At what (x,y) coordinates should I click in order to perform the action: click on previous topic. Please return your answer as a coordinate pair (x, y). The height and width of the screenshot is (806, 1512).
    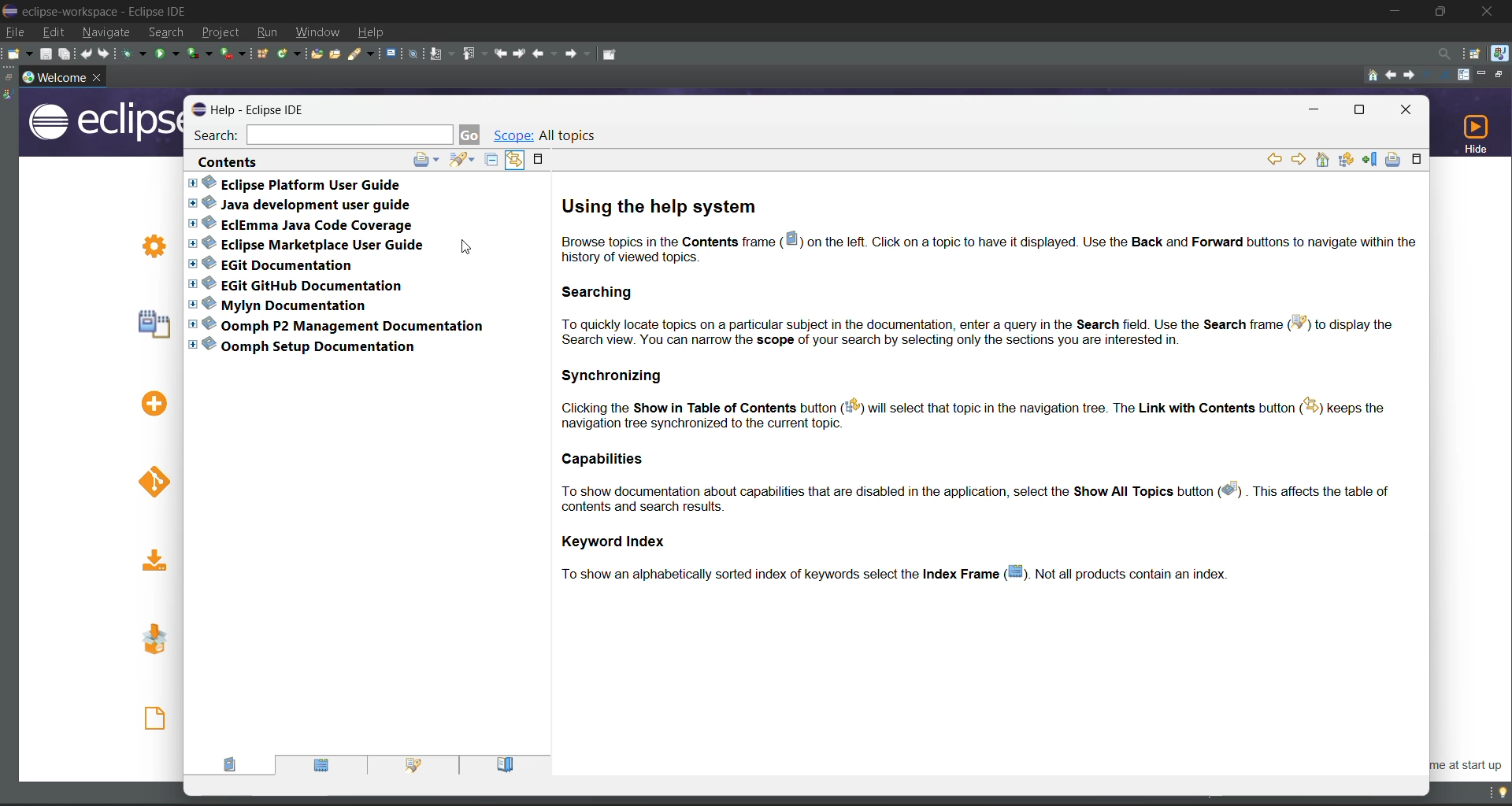
    Looking at the image, I should click on (1392, 75).